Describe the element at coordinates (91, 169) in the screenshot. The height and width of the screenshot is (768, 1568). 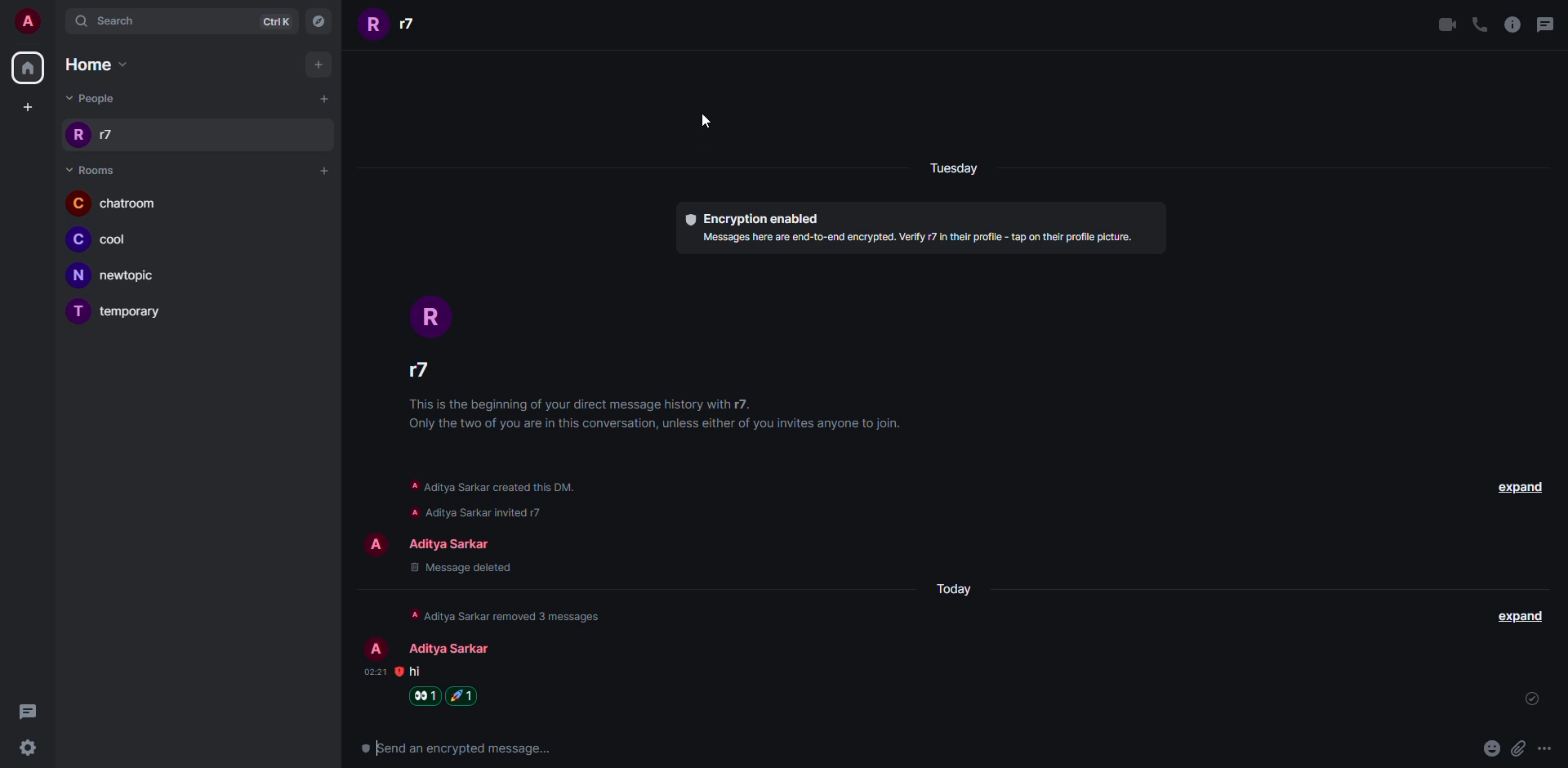
I see `room` at that location.